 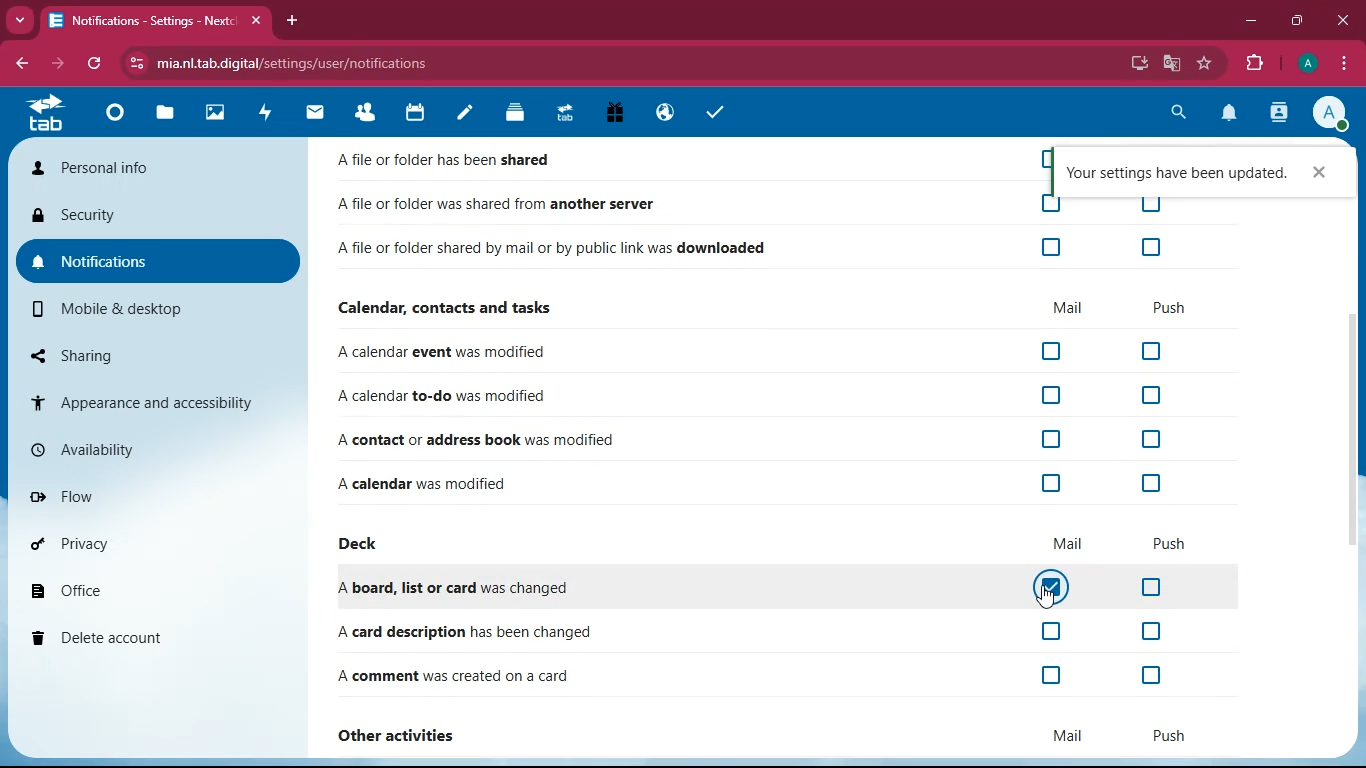 I want to click on Contacts, so click(x=366, y=114).